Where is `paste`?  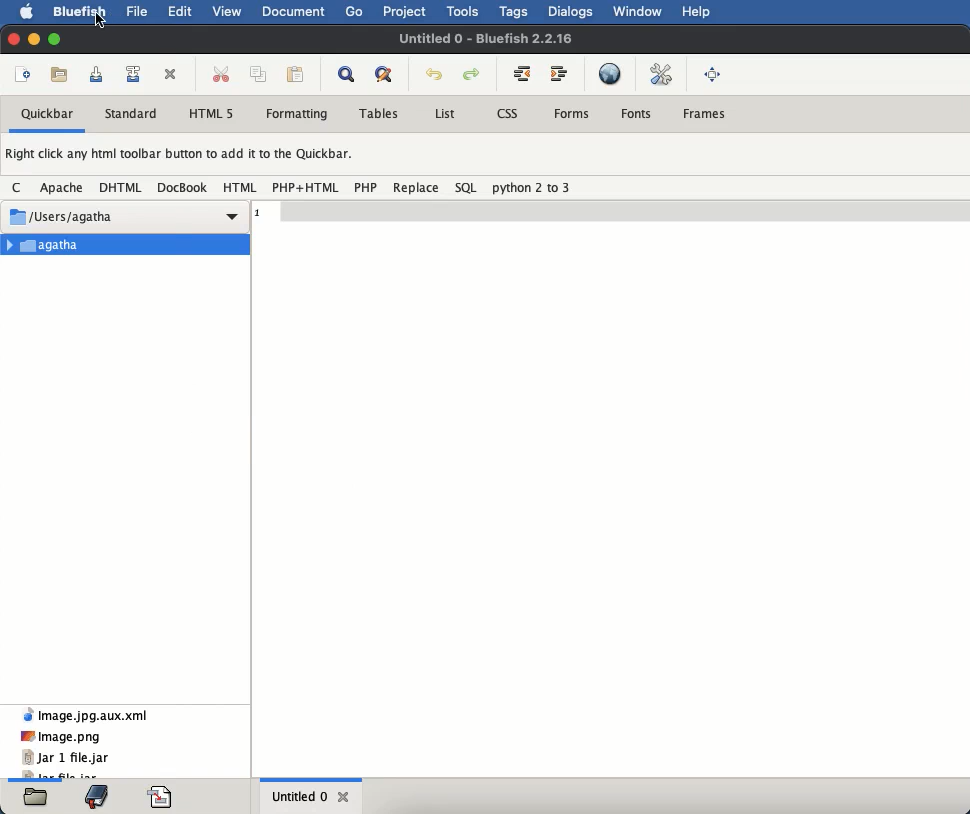 paste is located at coordinates (296, 76).